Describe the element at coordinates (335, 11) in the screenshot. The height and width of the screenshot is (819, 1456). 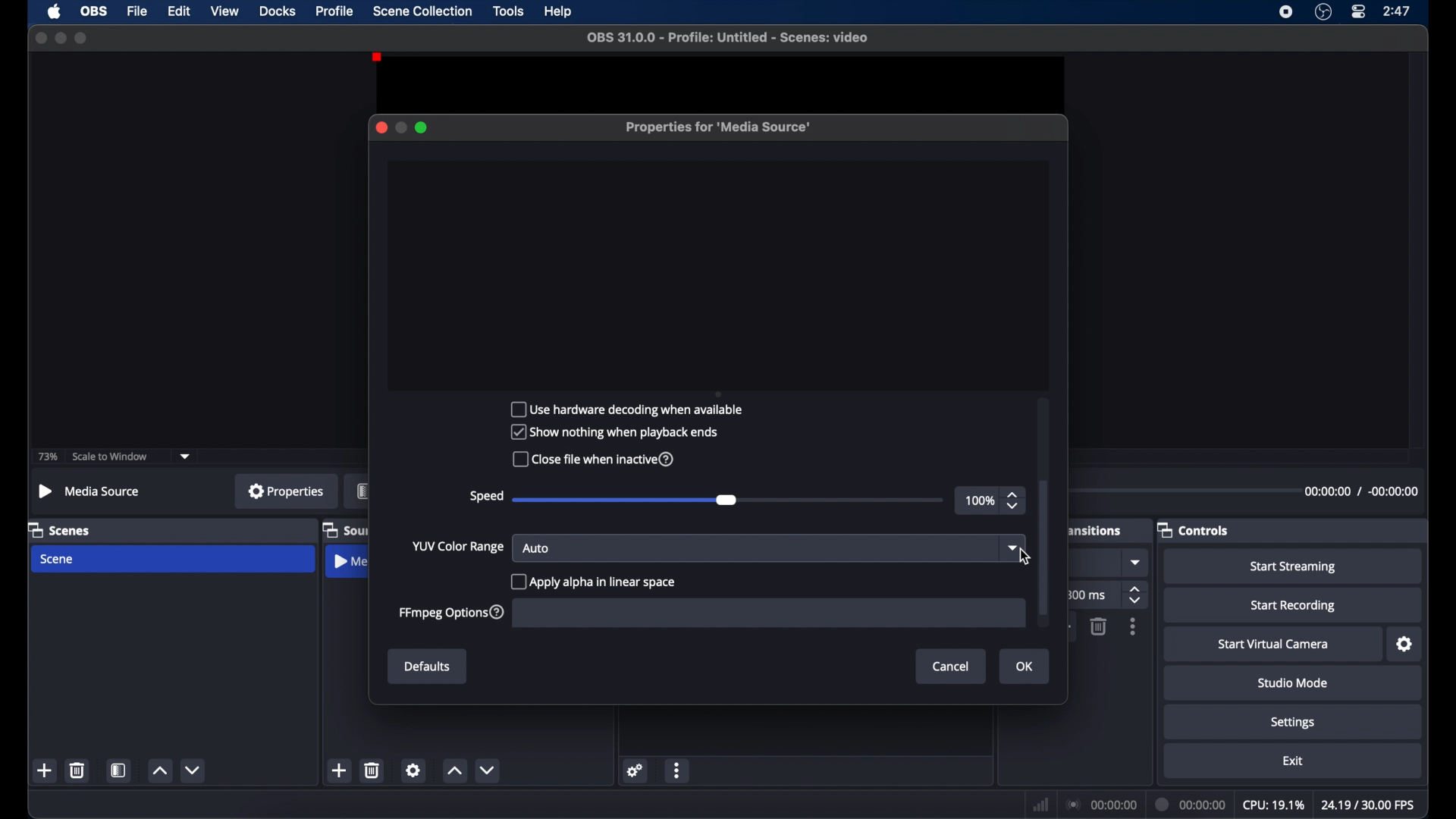
I see `profile` at that location.